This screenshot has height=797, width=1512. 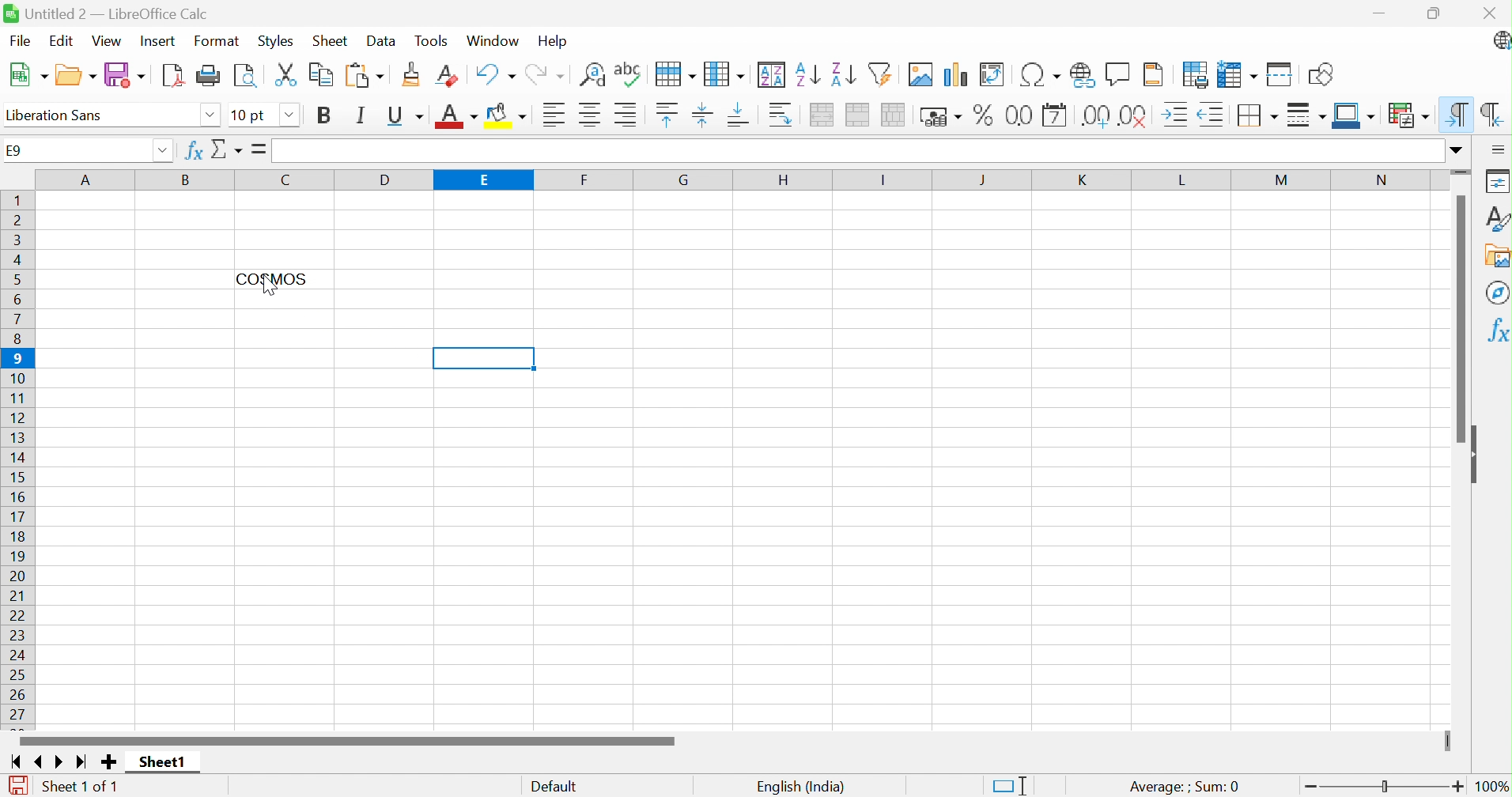 What do you see at coordinates (508, 113) in the screenshot?
I see `Background color` at bounding box center [508, 113].